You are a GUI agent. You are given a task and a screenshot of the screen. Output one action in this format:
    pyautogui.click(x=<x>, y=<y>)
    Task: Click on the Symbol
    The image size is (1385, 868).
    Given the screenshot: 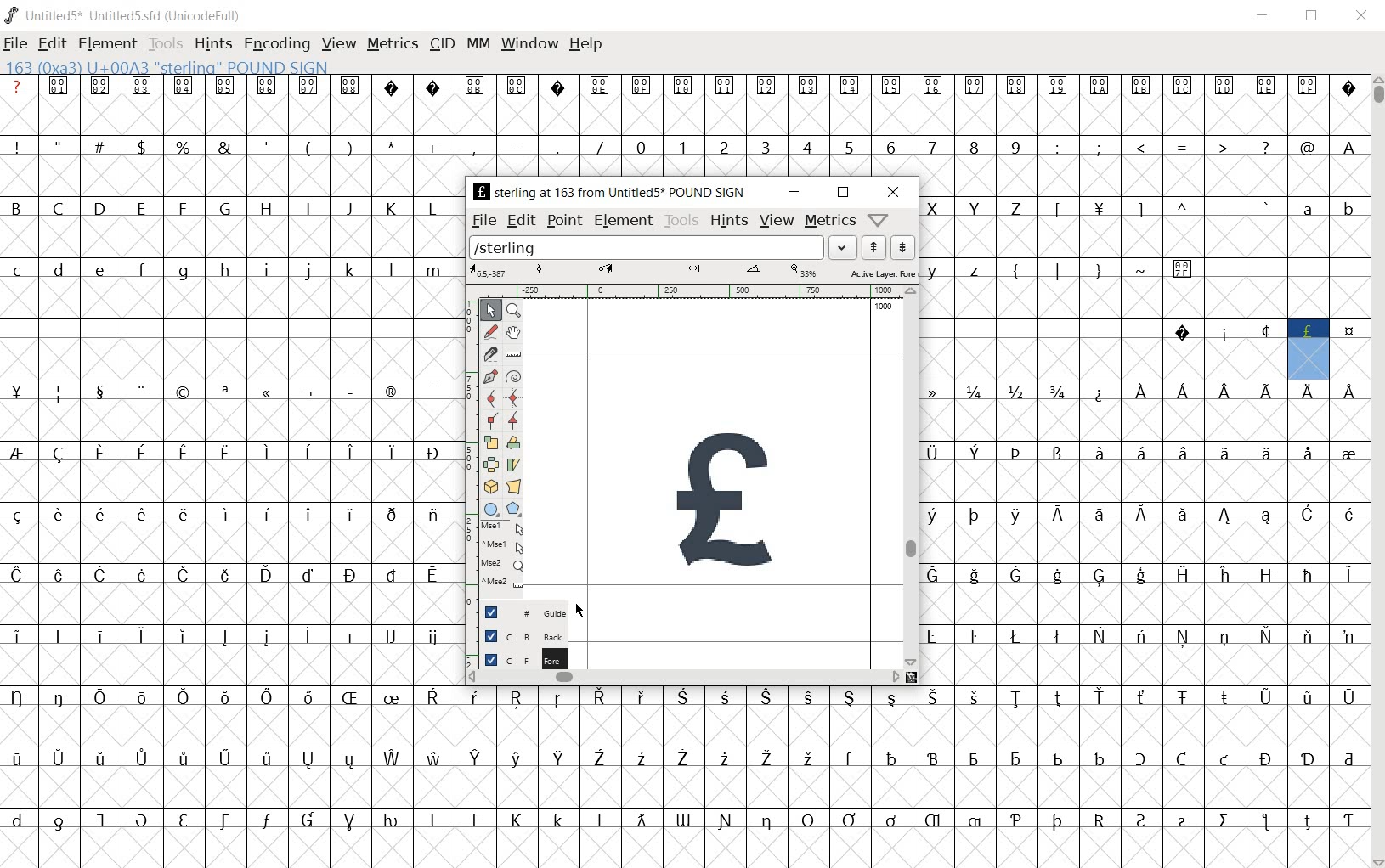 What is the action you would take?
    pyautogui.click(x=1348, y=758)
    